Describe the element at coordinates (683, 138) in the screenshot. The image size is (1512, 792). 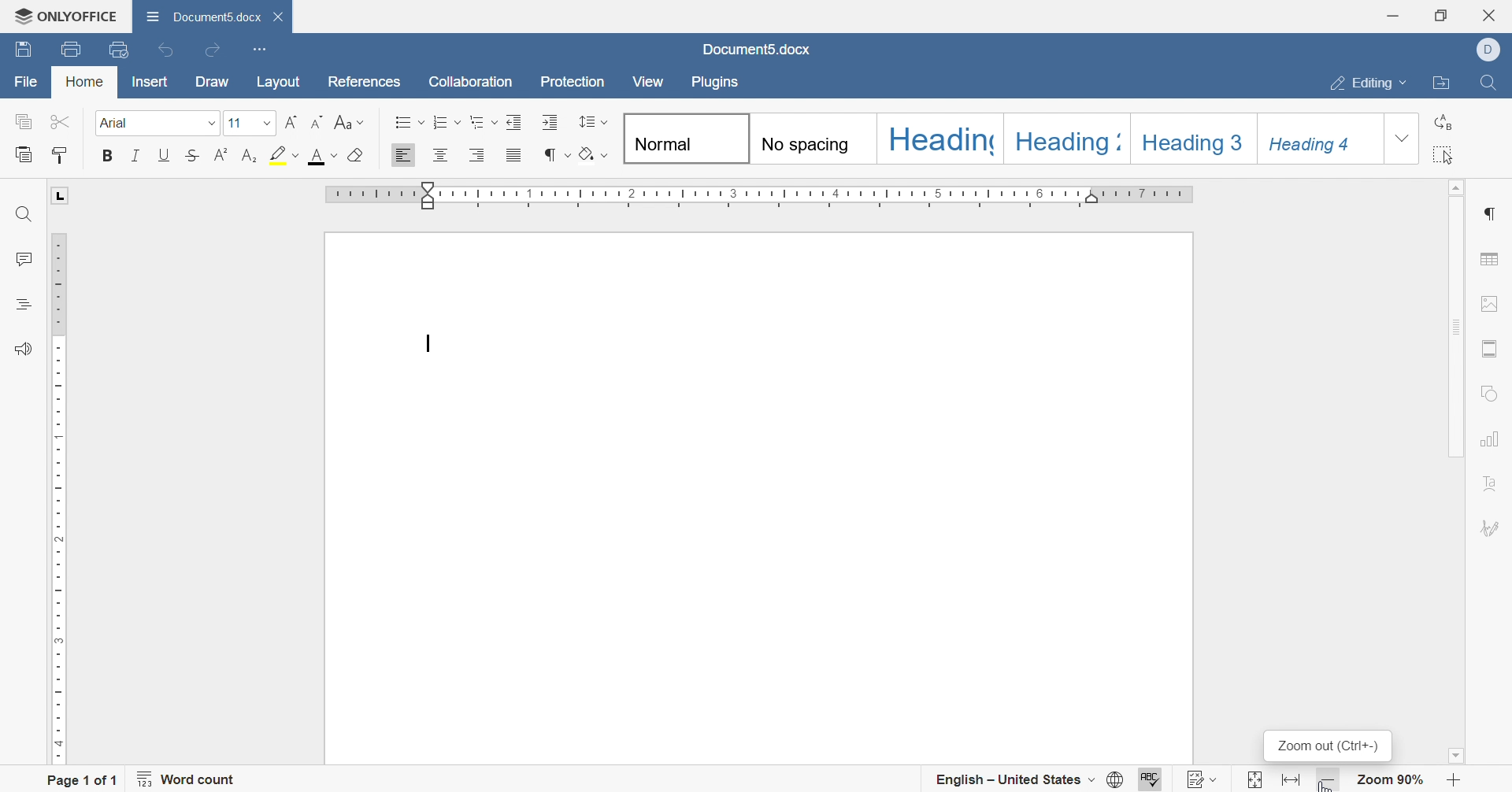
I see `Normal` at that location.